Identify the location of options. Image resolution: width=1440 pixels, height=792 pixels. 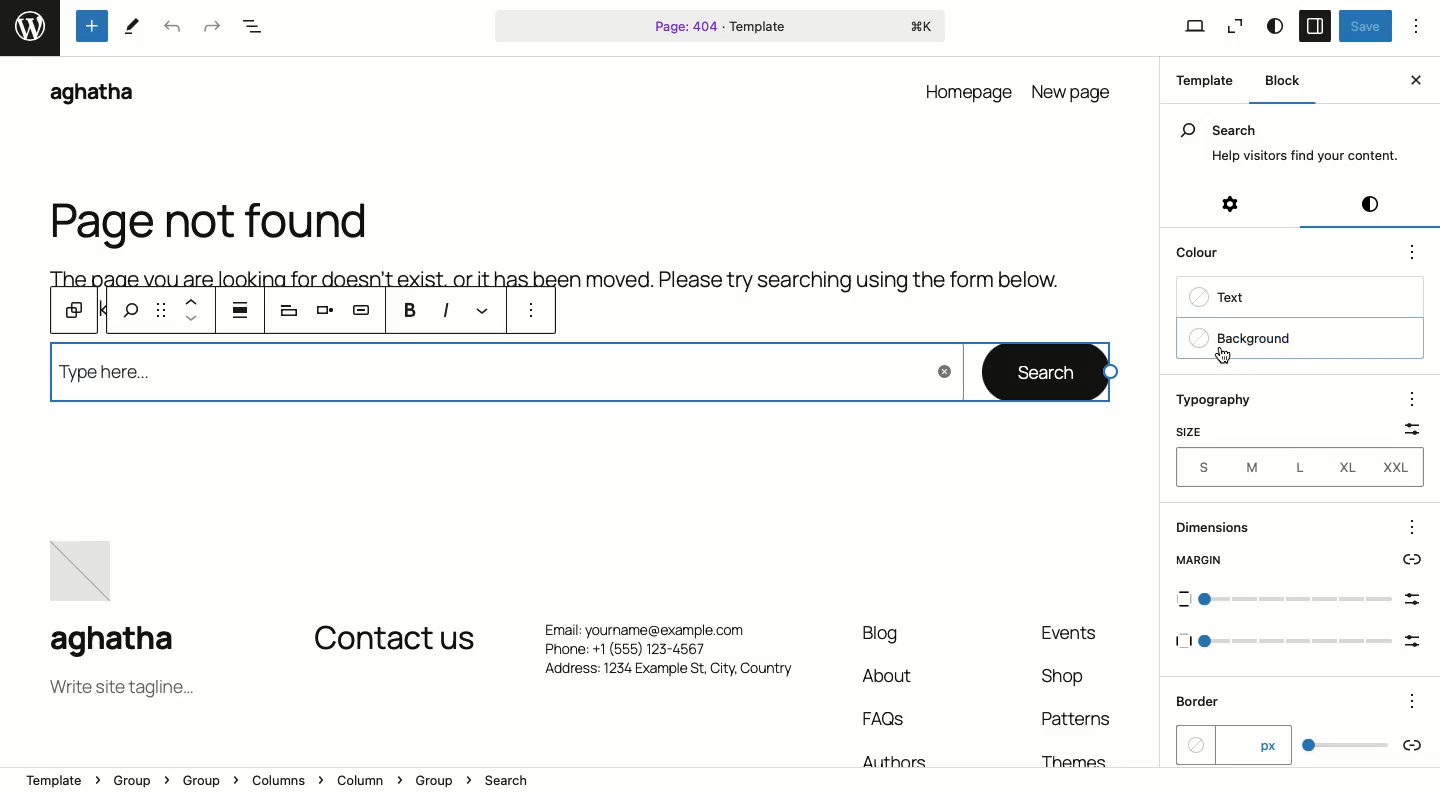
(1412, 528).